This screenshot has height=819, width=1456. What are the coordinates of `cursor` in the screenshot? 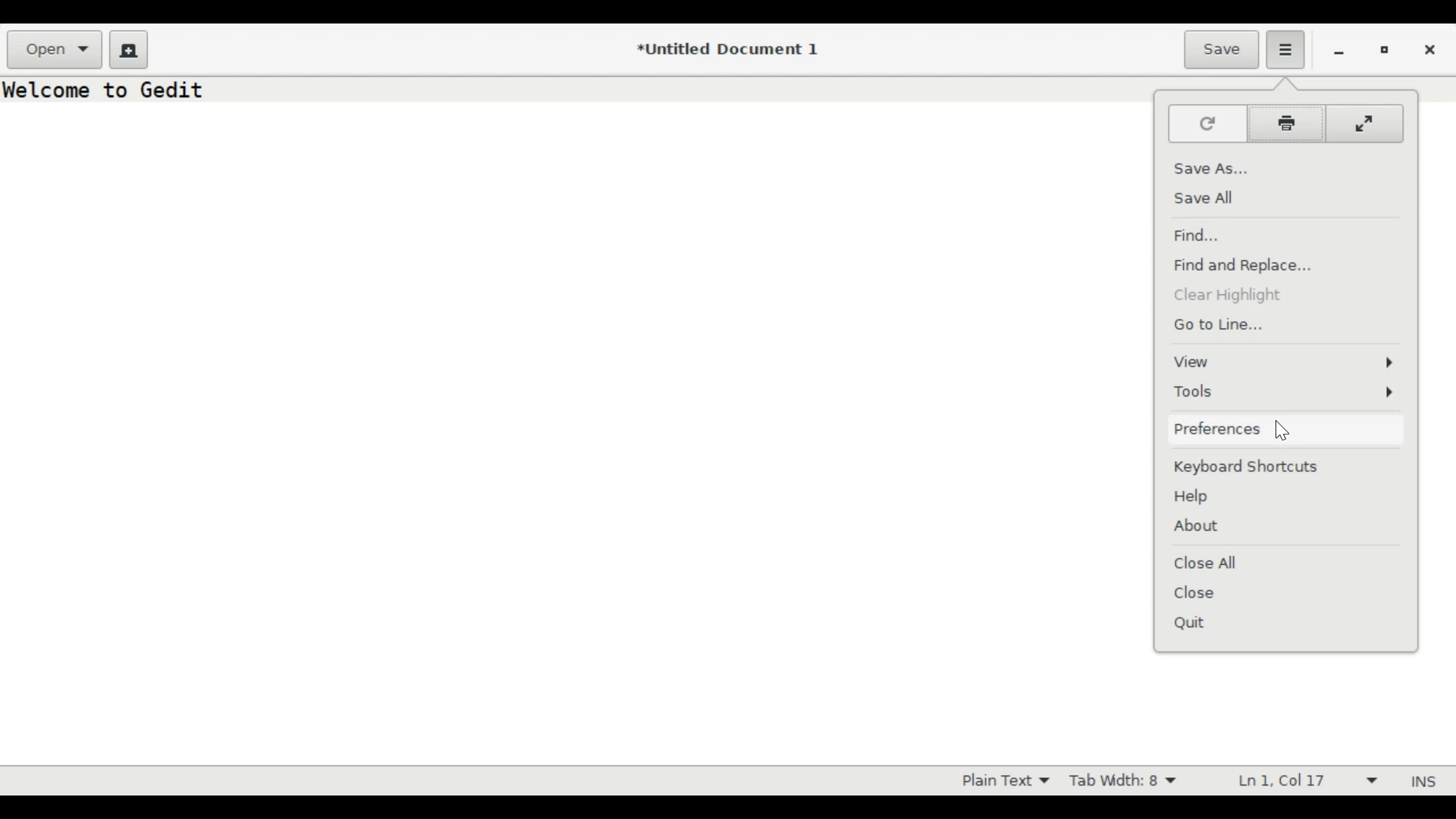 It's located at (1286, 429).